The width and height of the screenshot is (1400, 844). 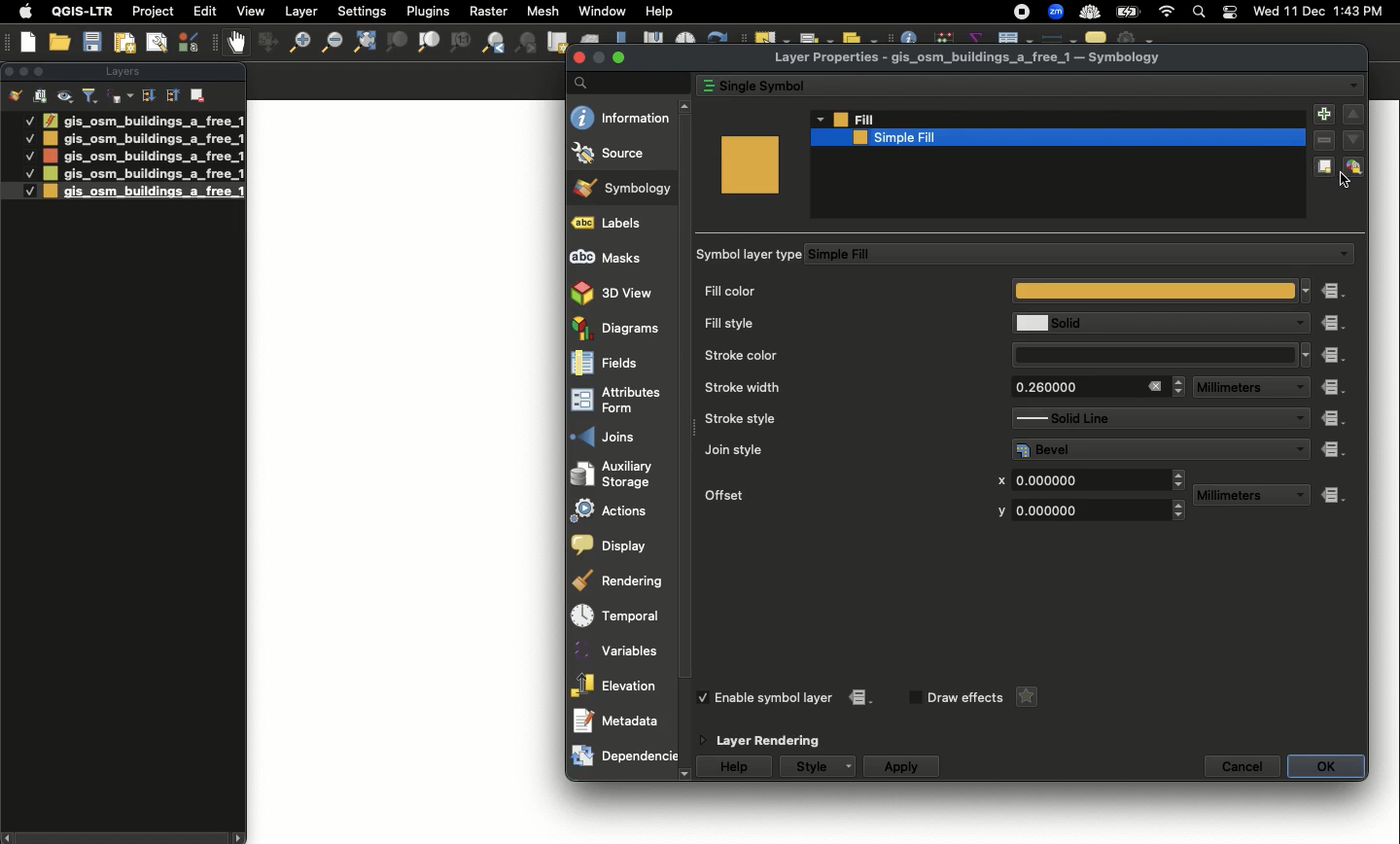 I want to click on Checked, so click(x=29, y=156).